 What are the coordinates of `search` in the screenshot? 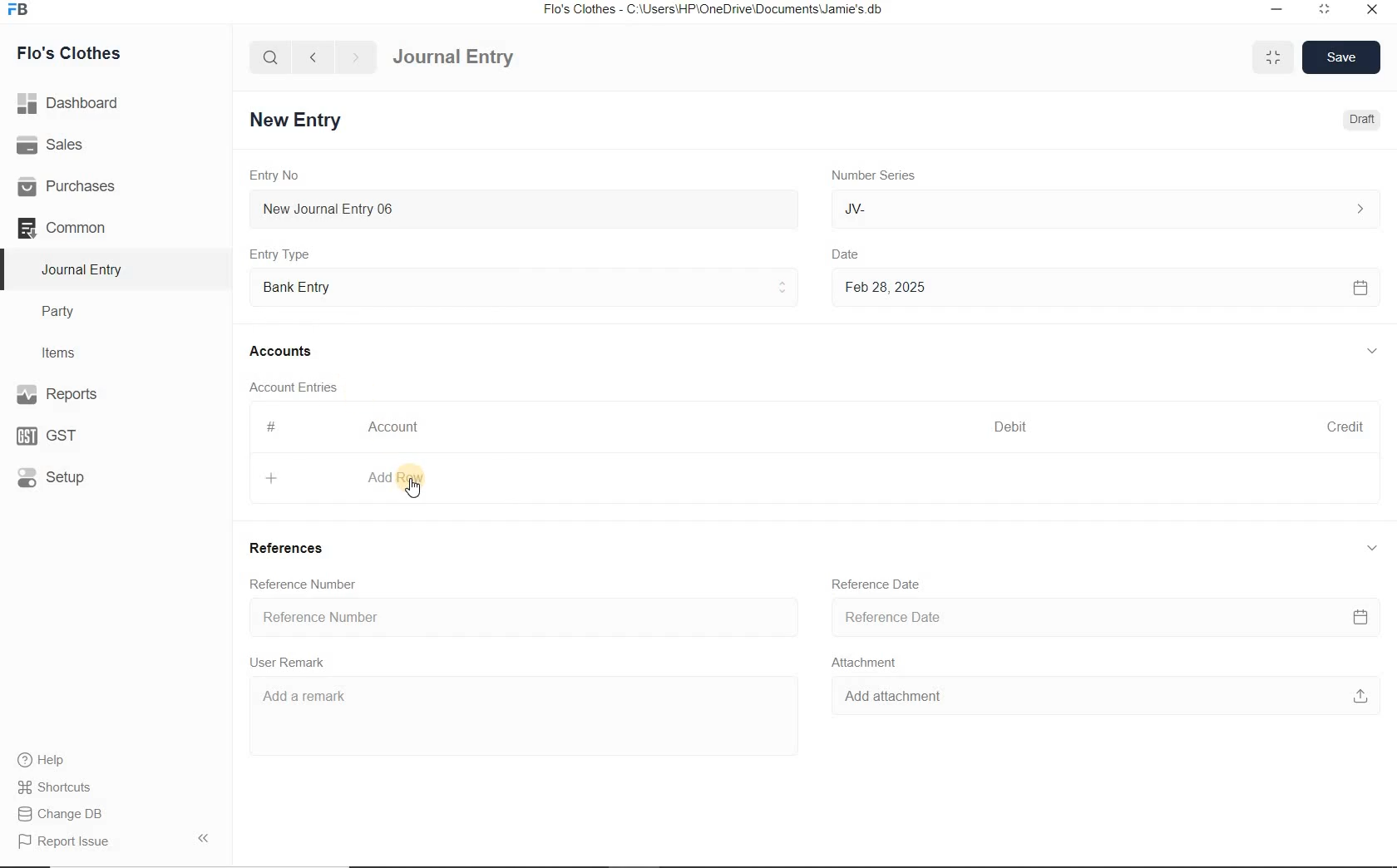 It's located at (271, 57).